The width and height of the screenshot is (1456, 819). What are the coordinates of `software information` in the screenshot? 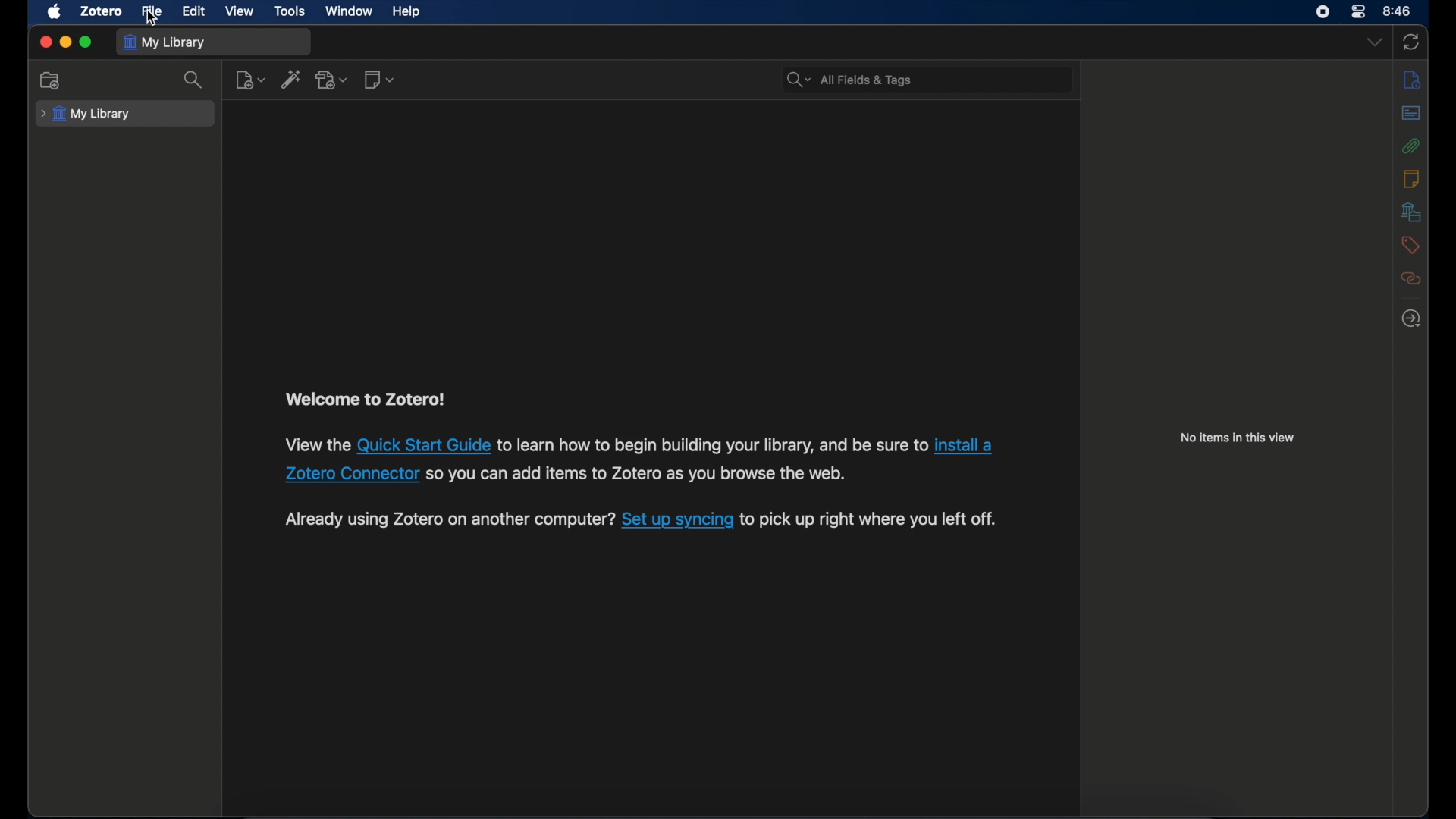 It's located at (710, 445).